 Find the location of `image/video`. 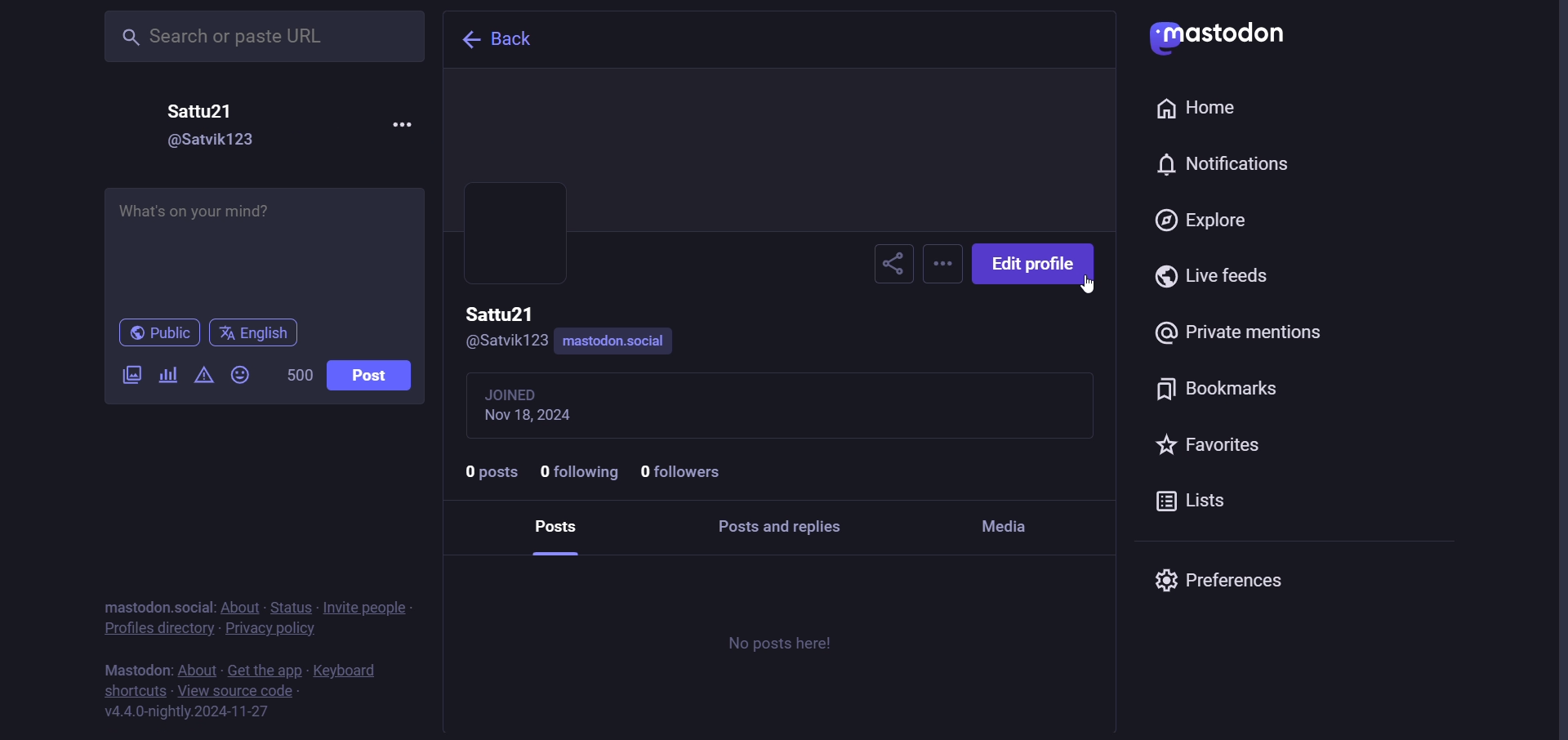

image/video is located at coordinates (129, 375).